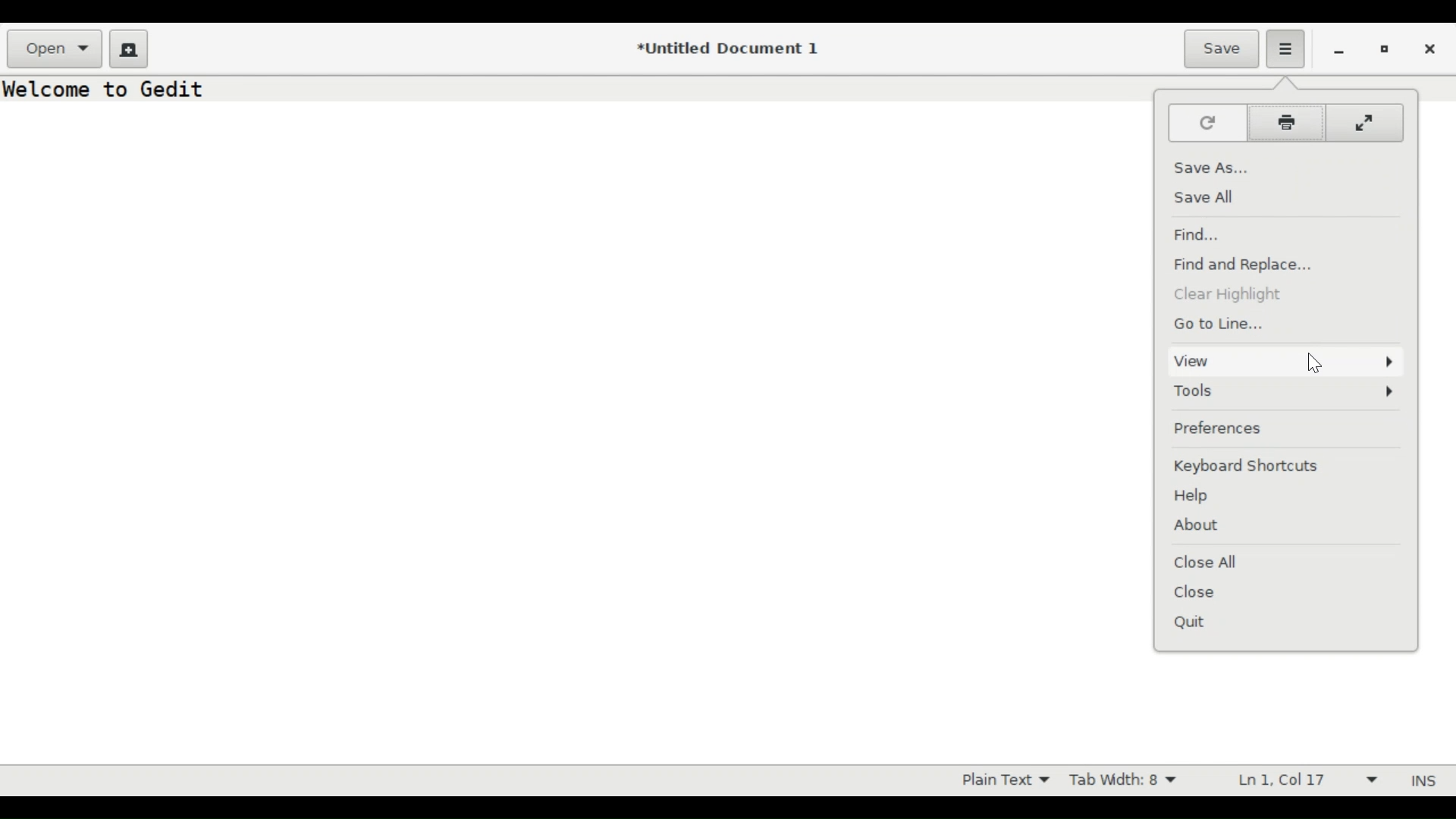  Describe the element at coordinates (1282, 360) in the screenshot. I see `View` at that location.